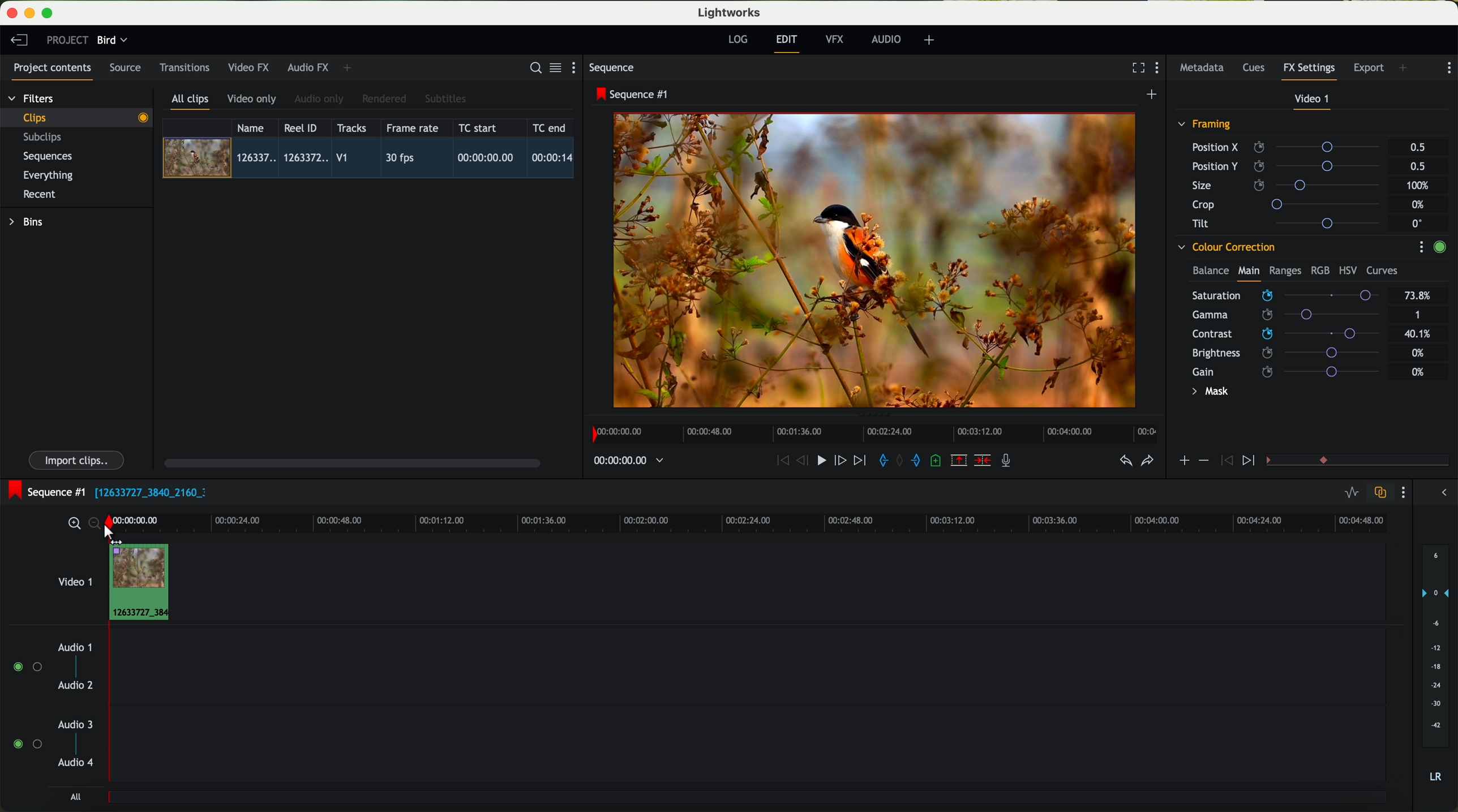  What do you see at coordinates (983, 461) in the screenshot?
I see `delete/cut` at bounding box center [983, 461].